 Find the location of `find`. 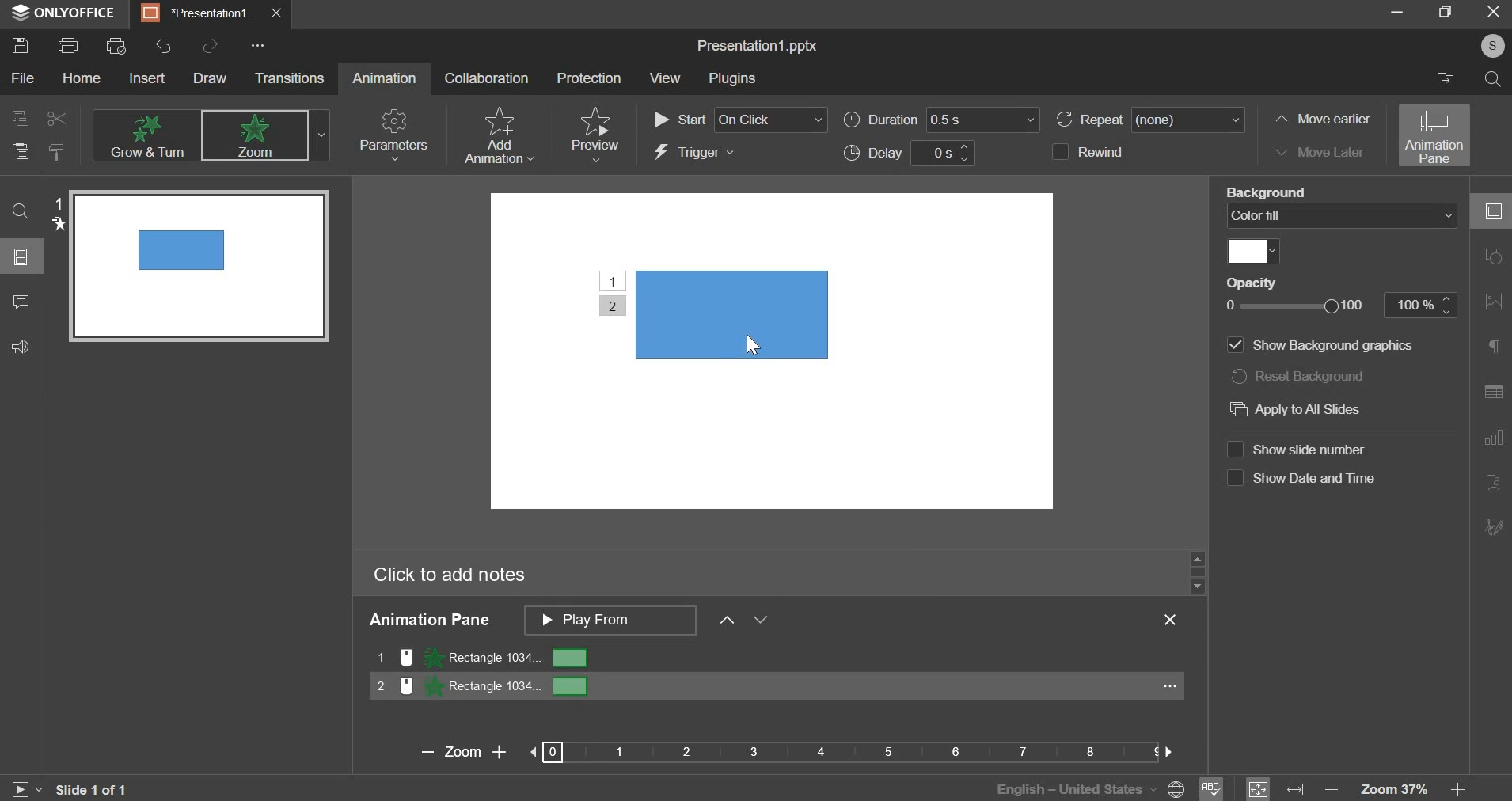

find is located at coordinates (1494, 80).